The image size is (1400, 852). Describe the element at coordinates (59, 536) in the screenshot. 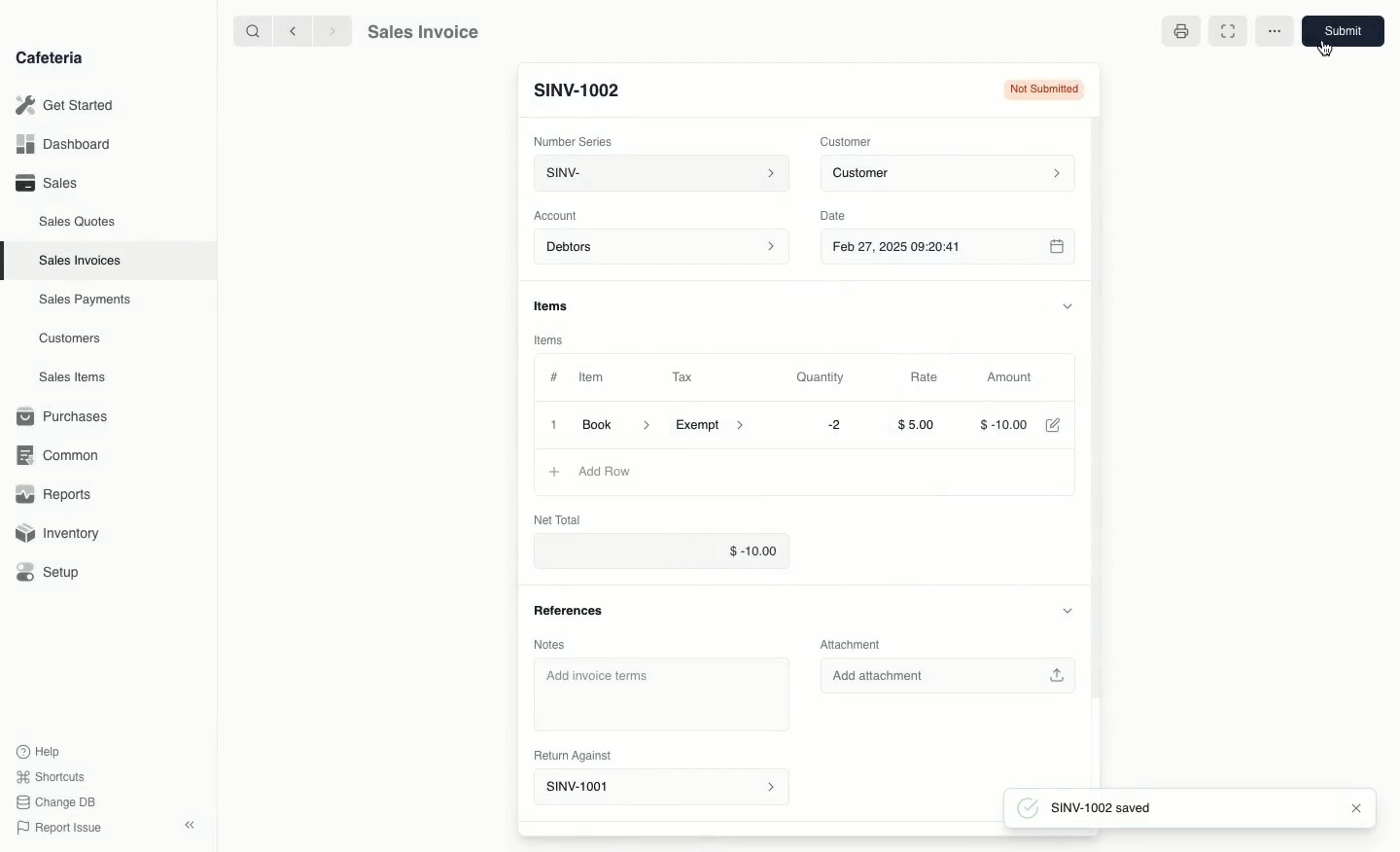

I see `Inventory` at that location.